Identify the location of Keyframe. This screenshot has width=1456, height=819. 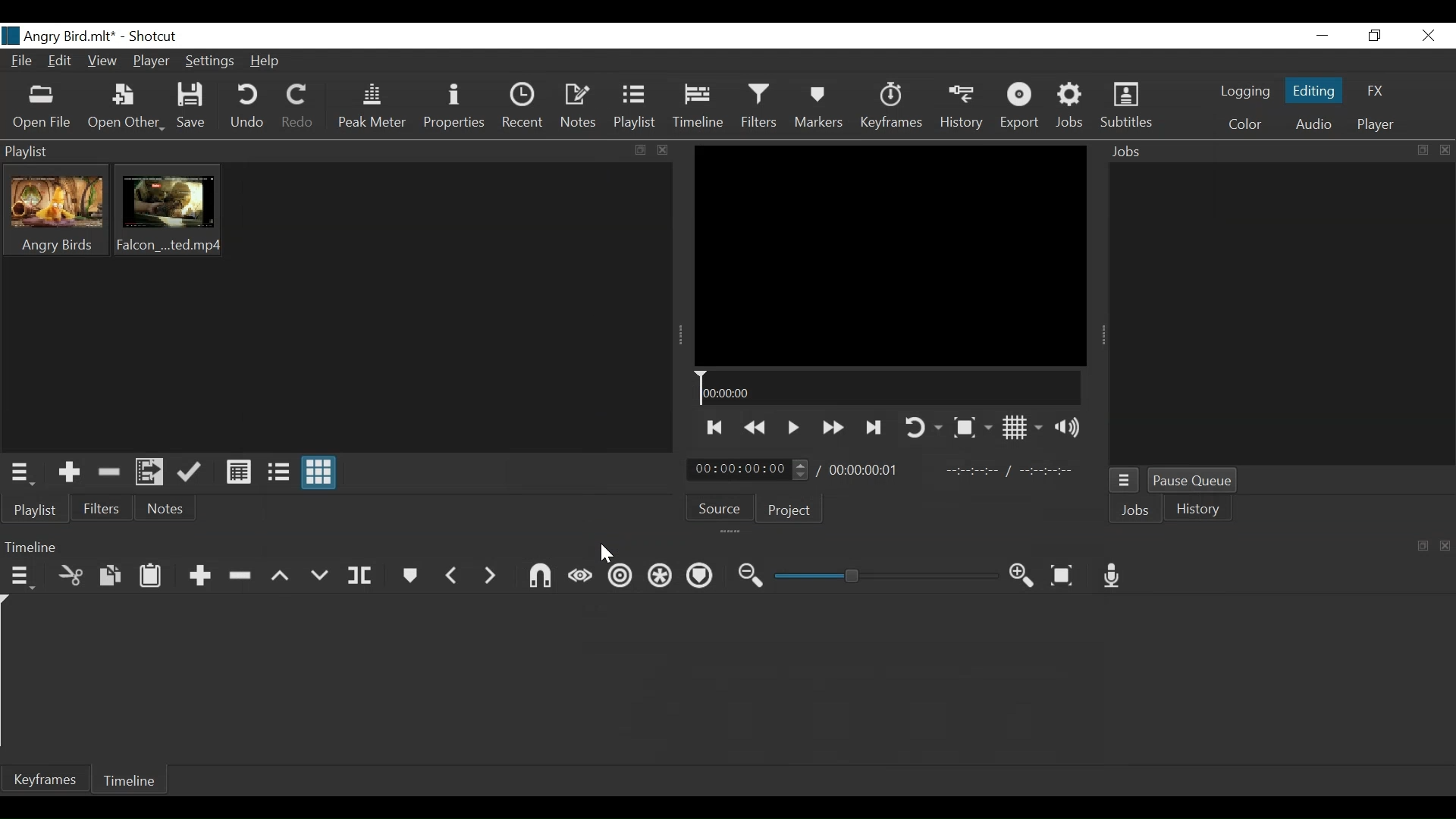
(42, 779).